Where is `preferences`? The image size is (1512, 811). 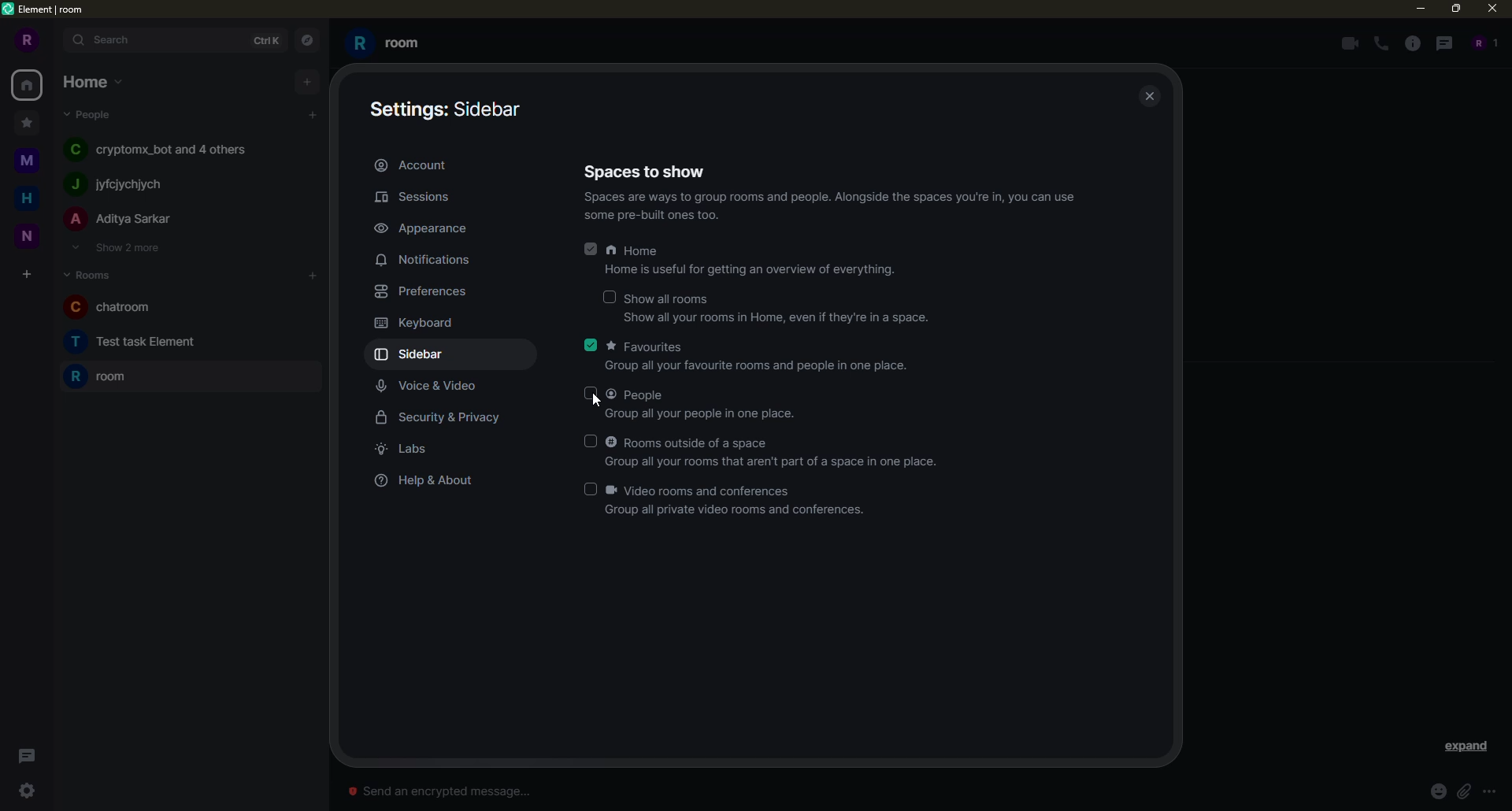 preferences is located at coordinates (421, 291).